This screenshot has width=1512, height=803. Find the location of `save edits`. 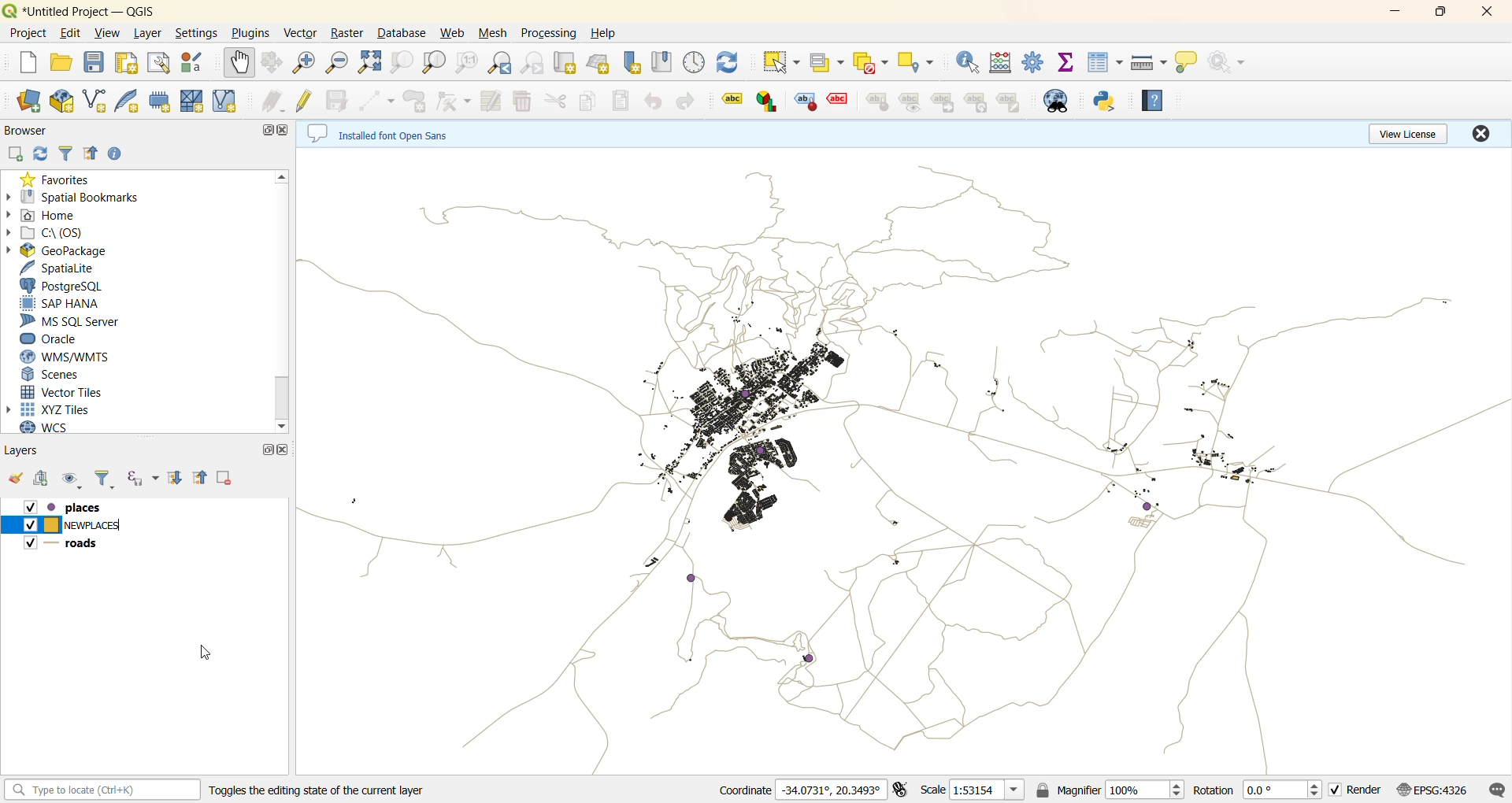

save edits is located at coordinates (342, 98).